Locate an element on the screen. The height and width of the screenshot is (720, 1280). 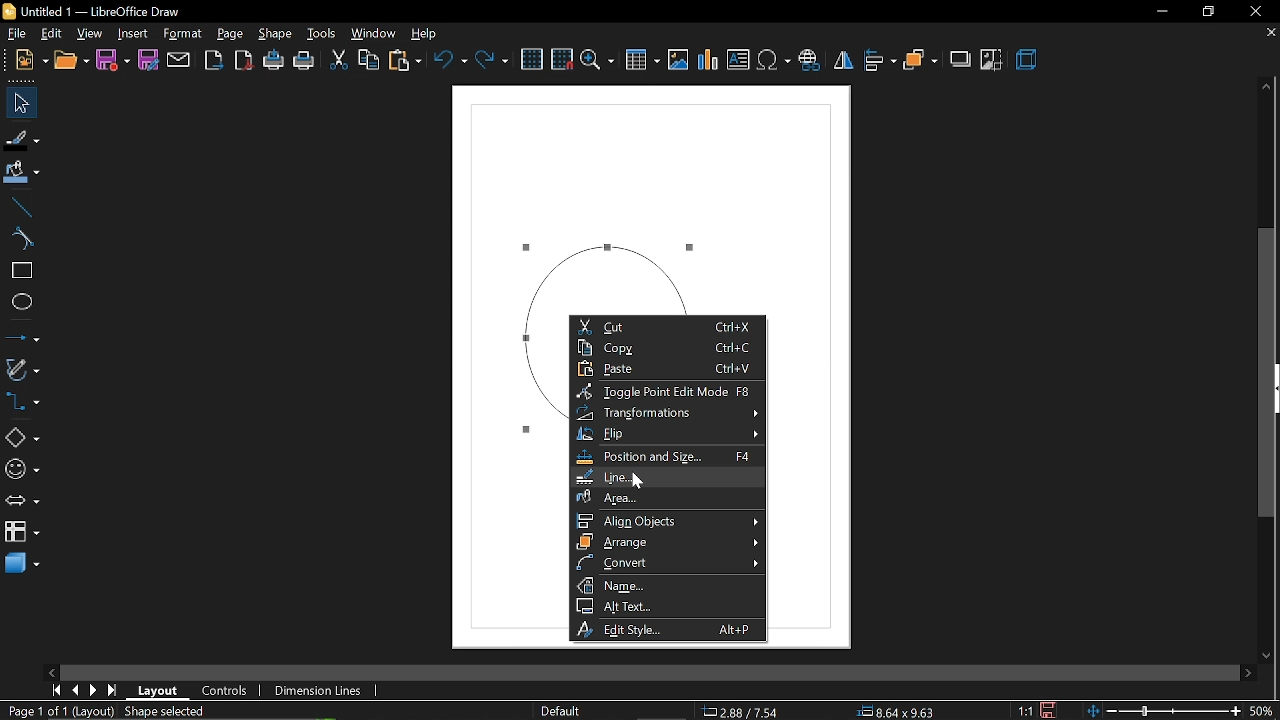
layout is located at coordinates (158, 691).